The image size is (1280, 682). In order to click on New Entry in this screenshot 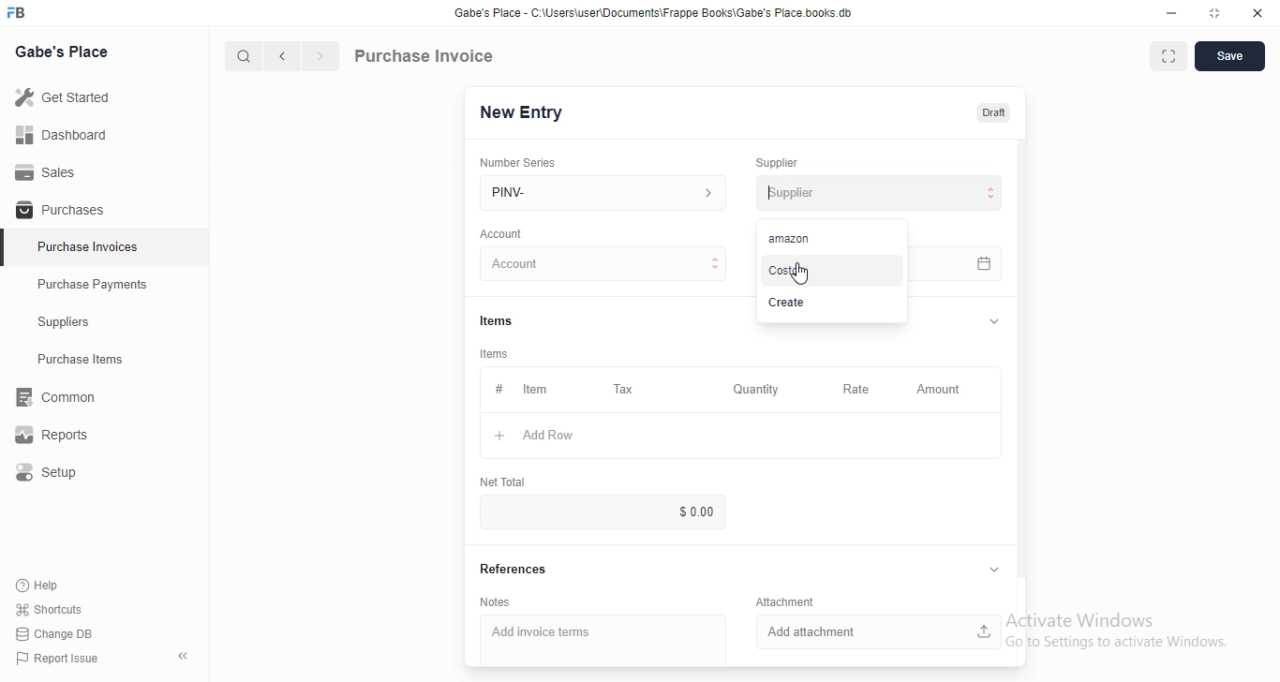, I will do `click(522, 113)`.